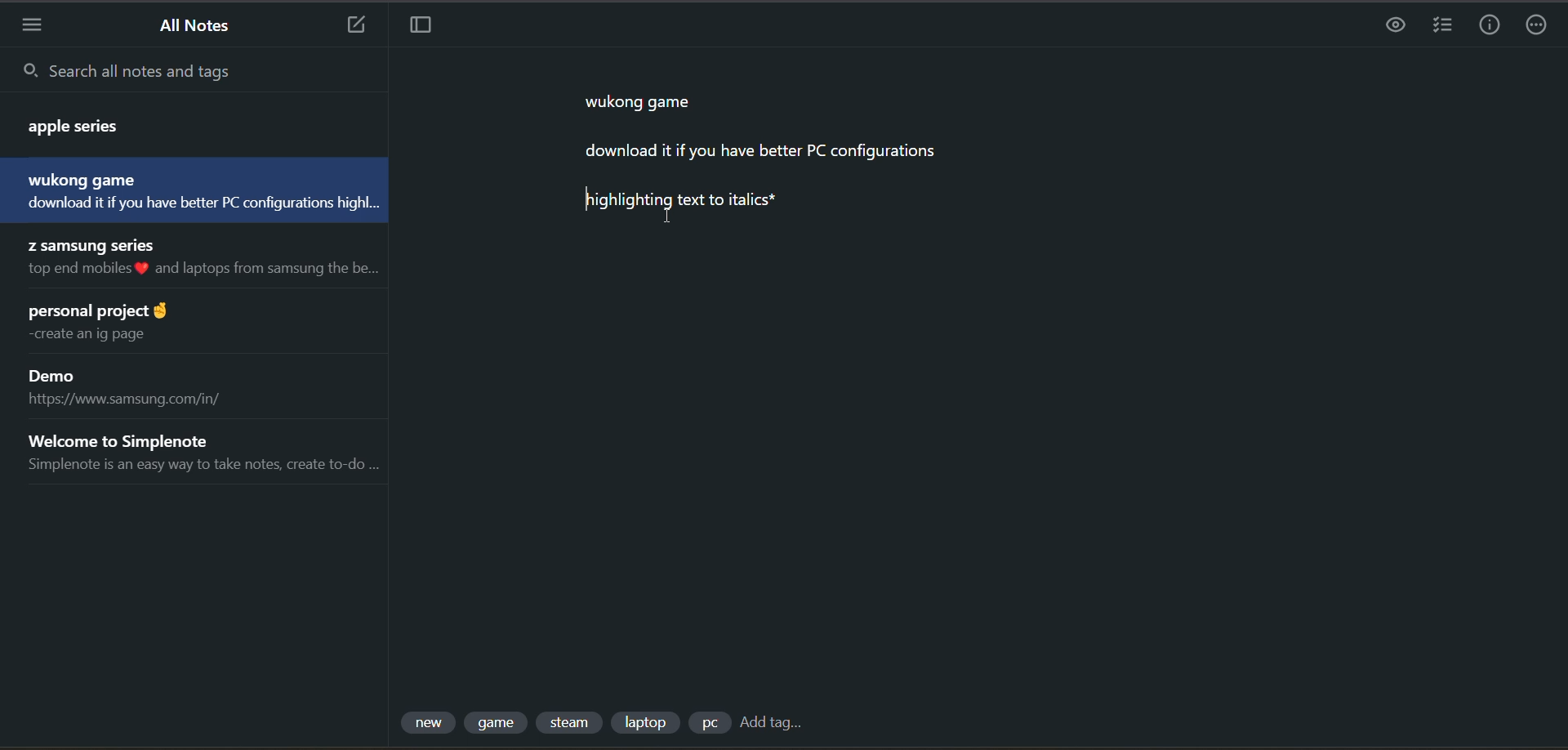 Image resolution: width=1568 pixels, height=750 pixels. What do you see at coordinates (1489, 26) in the screenshot?
I see `info` at bounding box center [1489, 26].